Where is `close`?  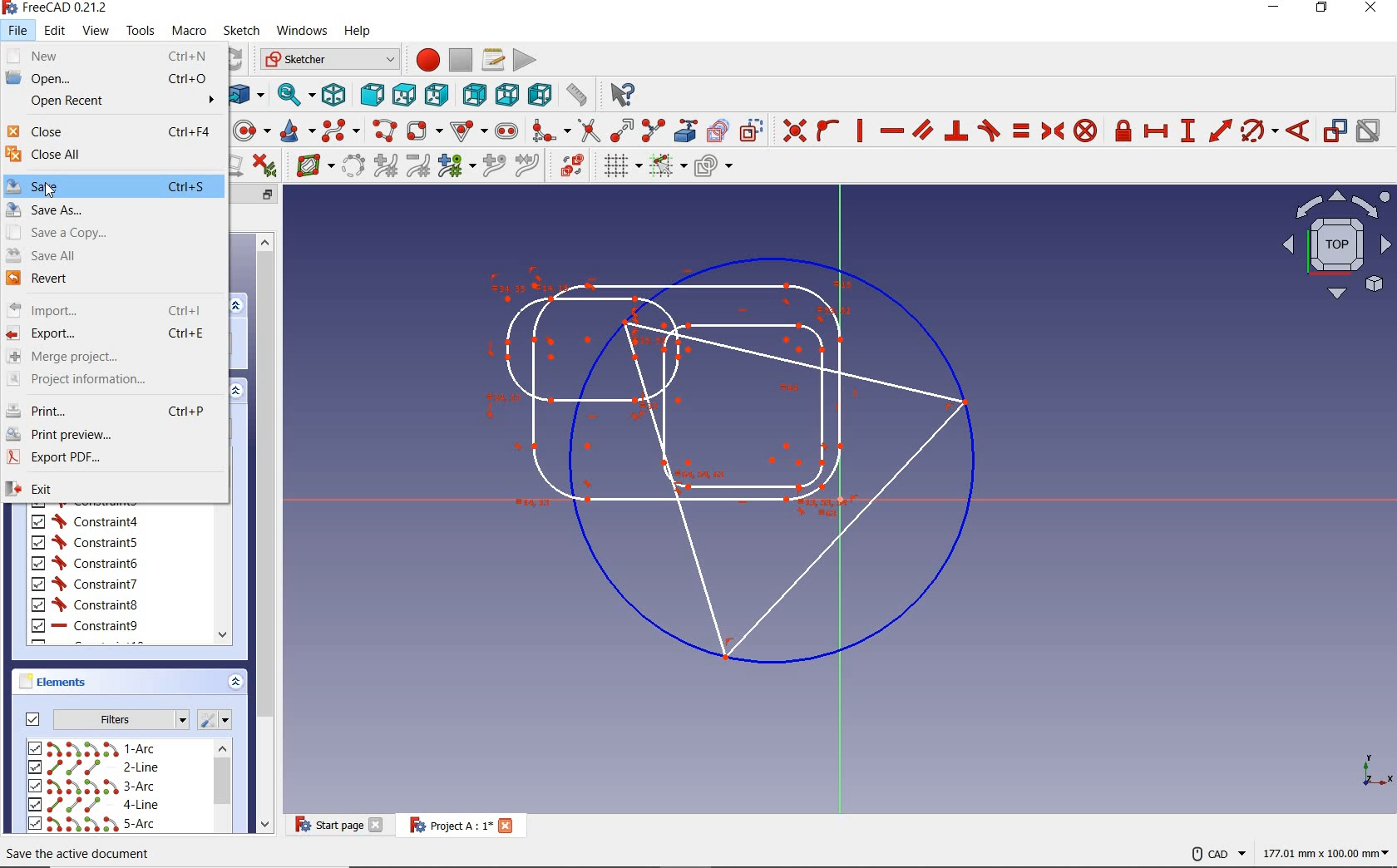
close is located at coordinates (112, 131).